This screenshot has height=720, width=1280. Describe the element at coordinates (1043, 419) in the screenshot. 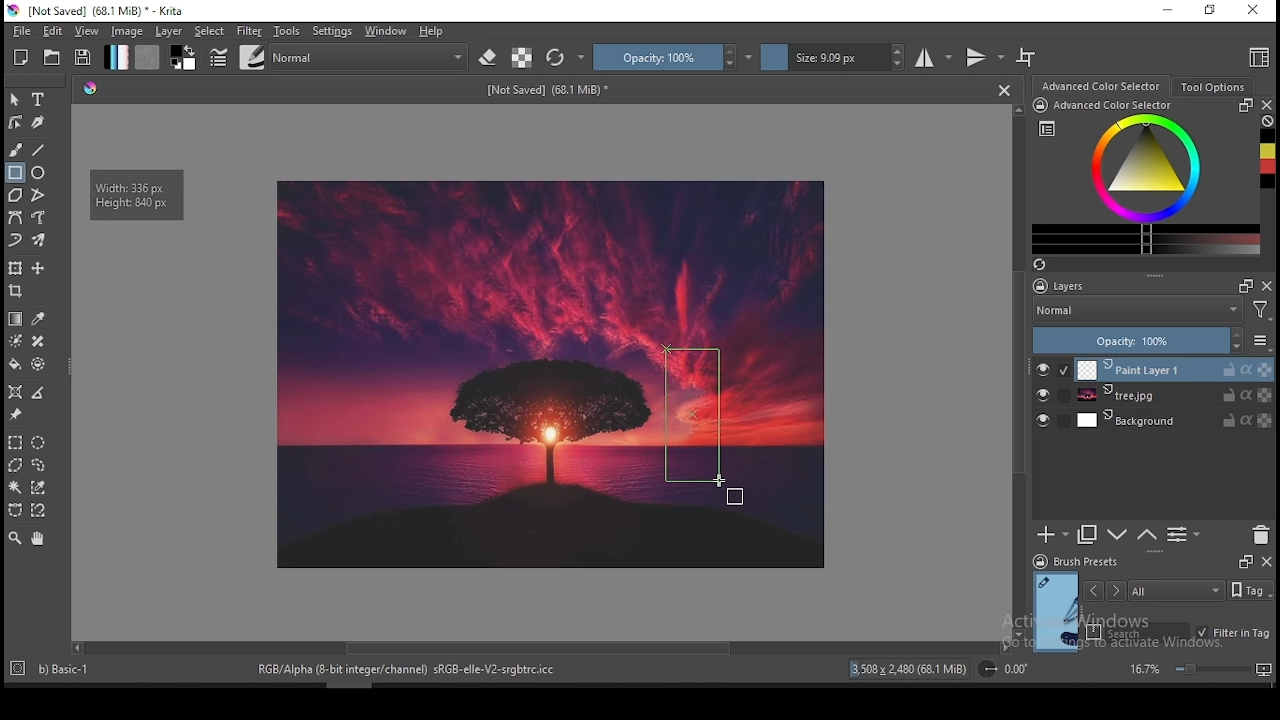

I see `layer visibility on/off` at that location.